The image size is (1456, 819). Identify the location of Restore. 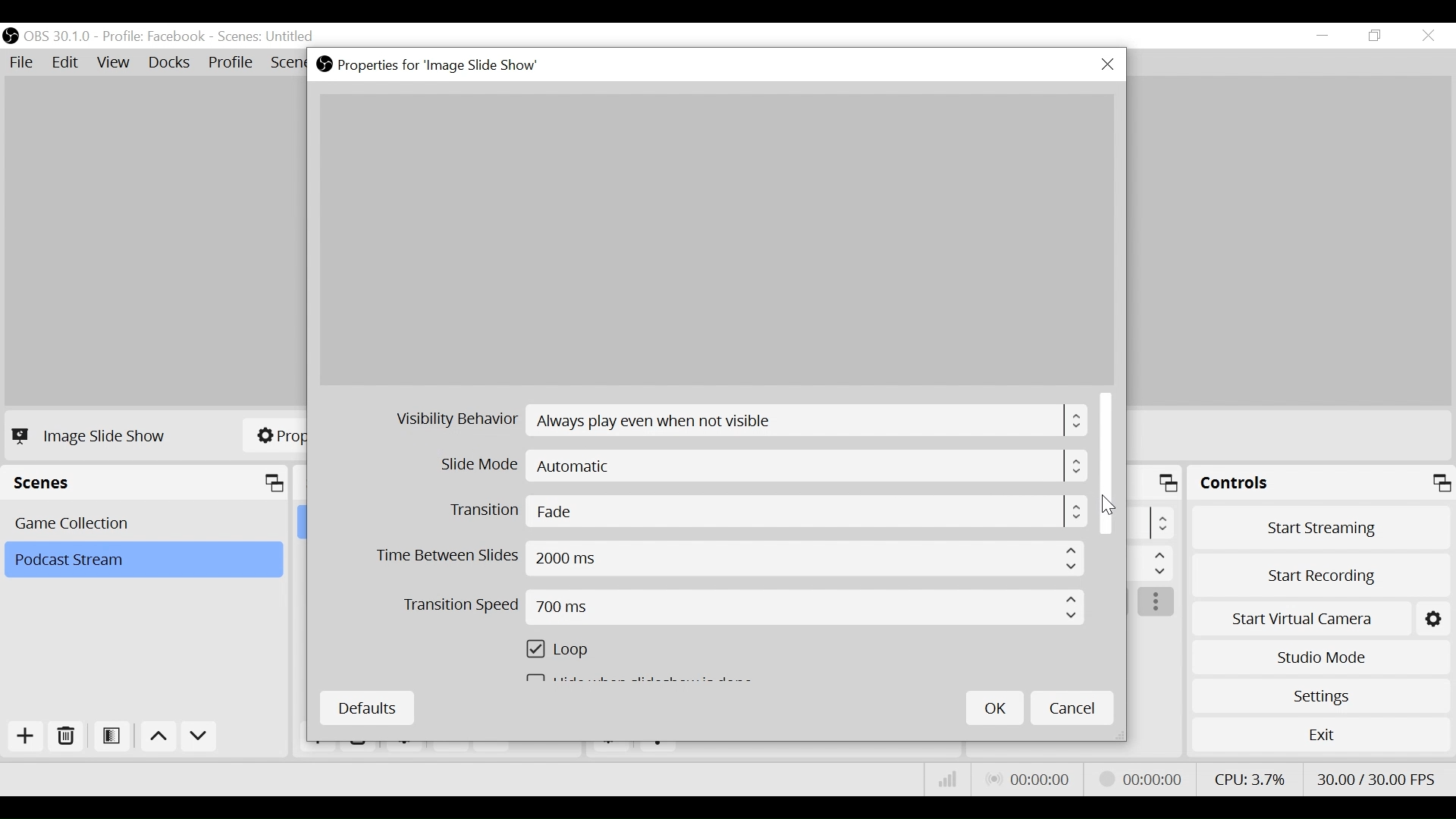
(1376, 36).